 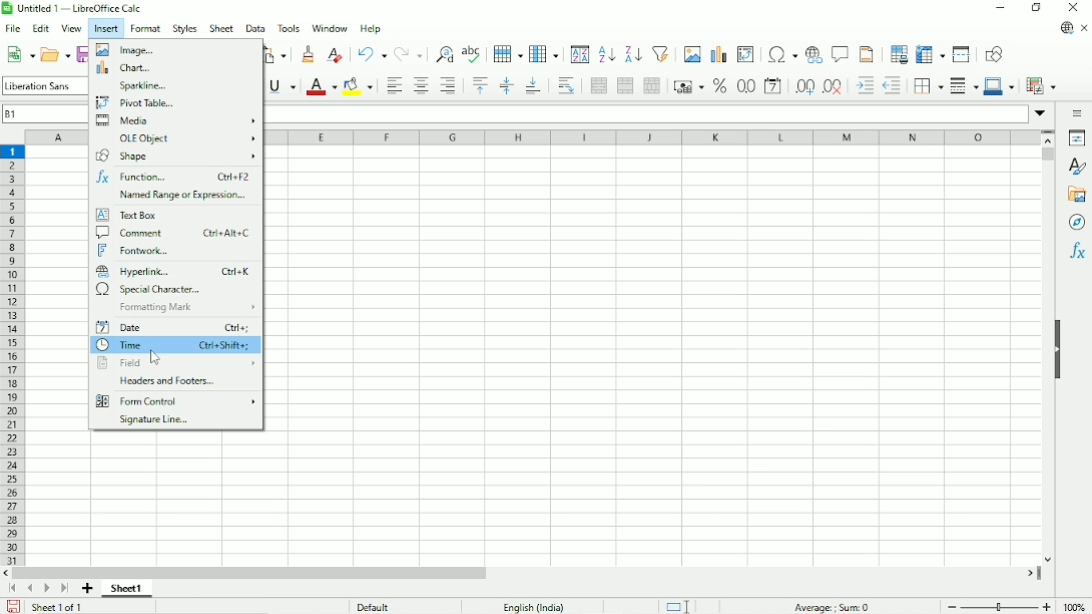 I want to click on Default, so click(x=376, y=605).